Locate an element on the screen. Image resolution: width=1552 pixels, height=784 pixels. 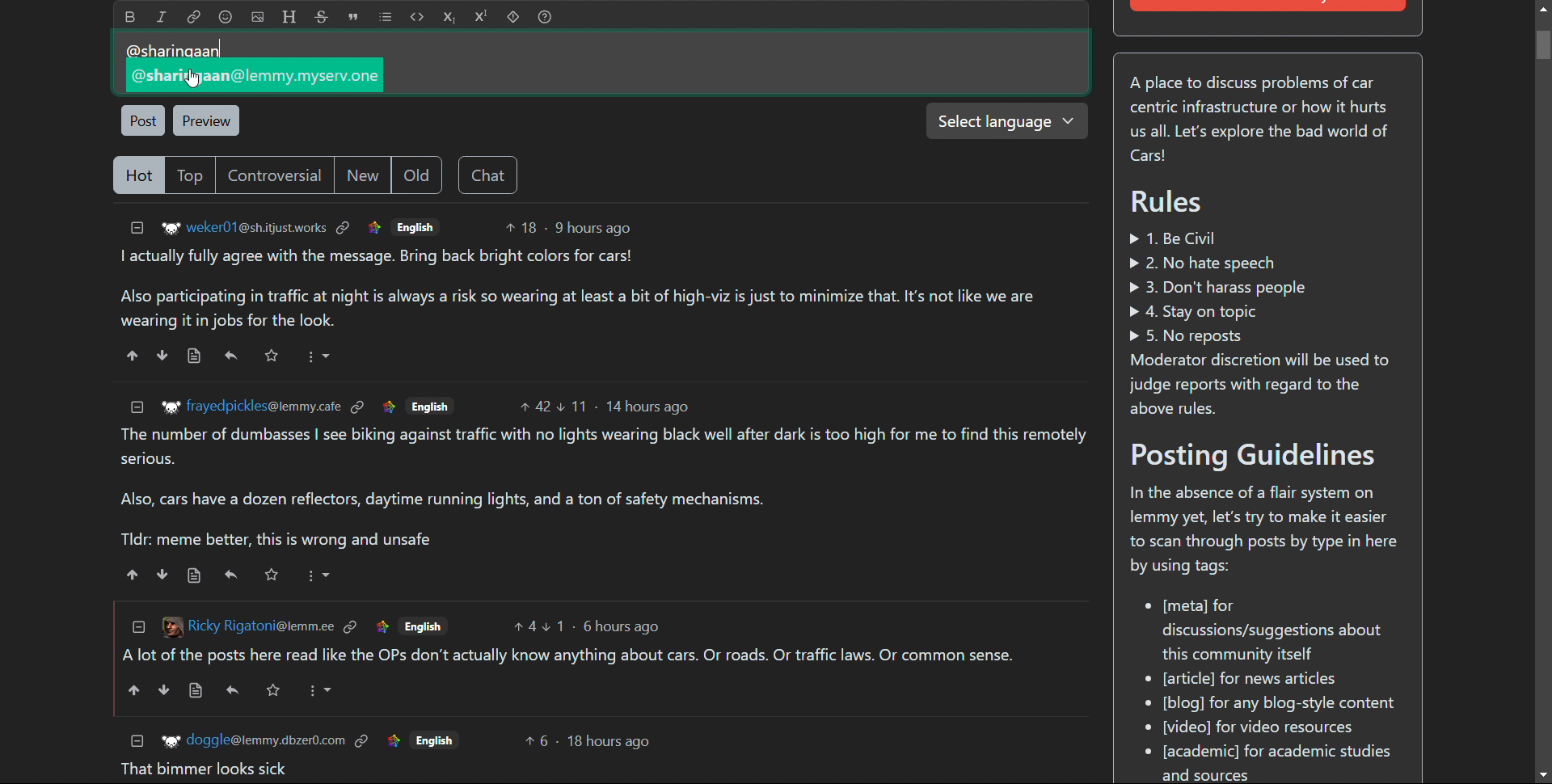
English. is located at coordinates (423, 626).